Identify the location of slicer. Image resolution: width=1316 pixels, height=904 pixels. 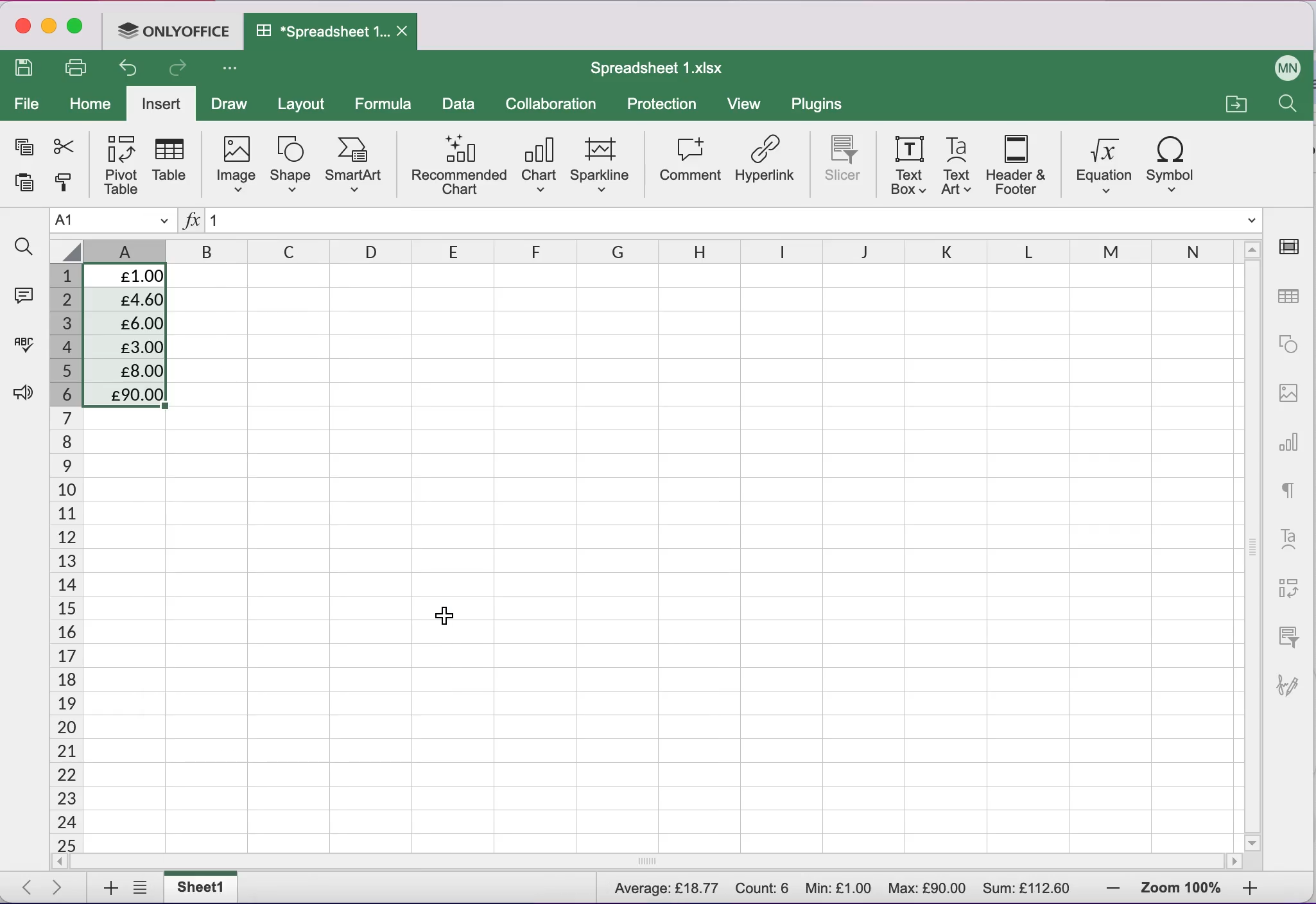
(839, 161).